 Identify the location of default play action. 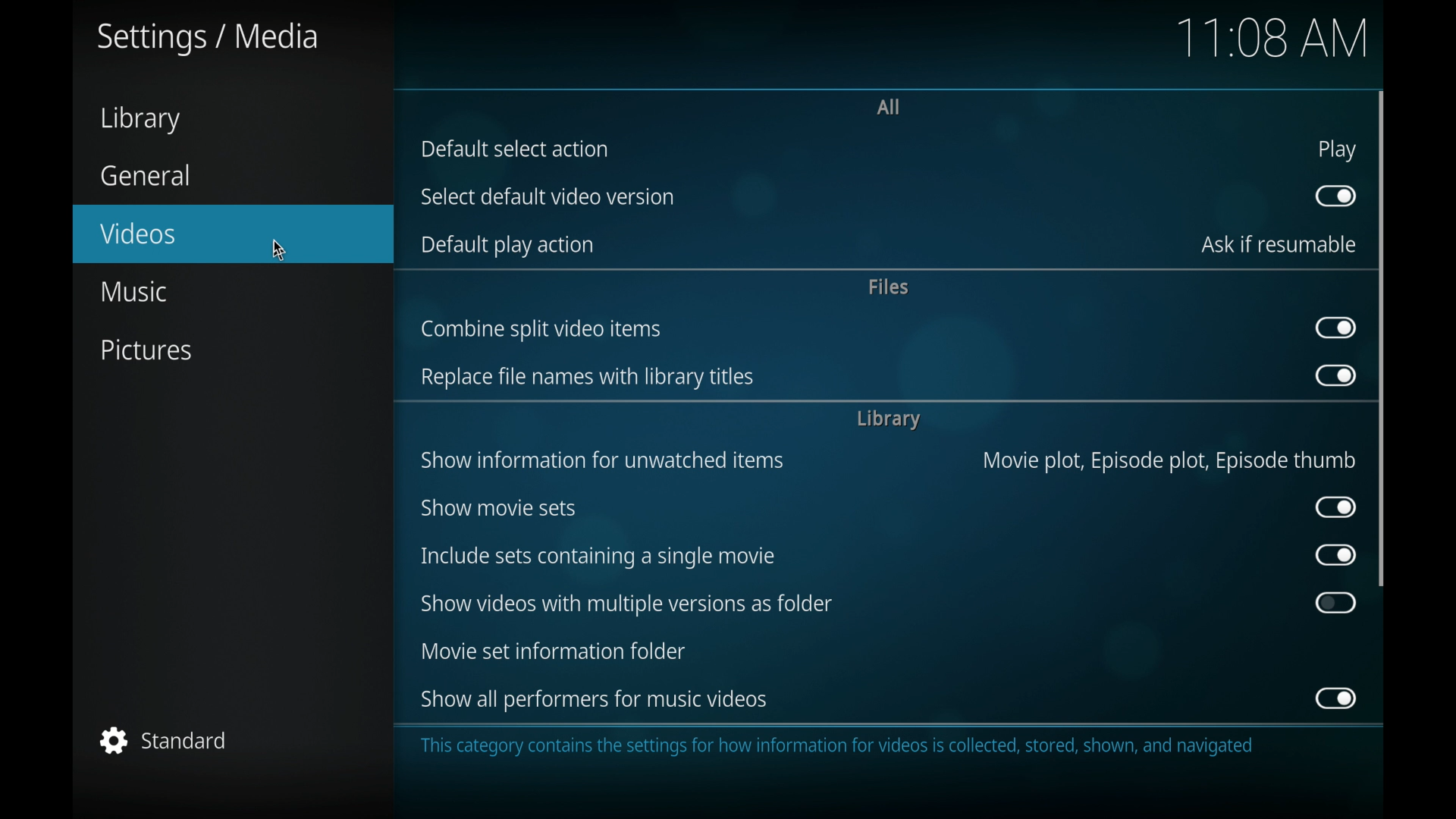
(510, 247).